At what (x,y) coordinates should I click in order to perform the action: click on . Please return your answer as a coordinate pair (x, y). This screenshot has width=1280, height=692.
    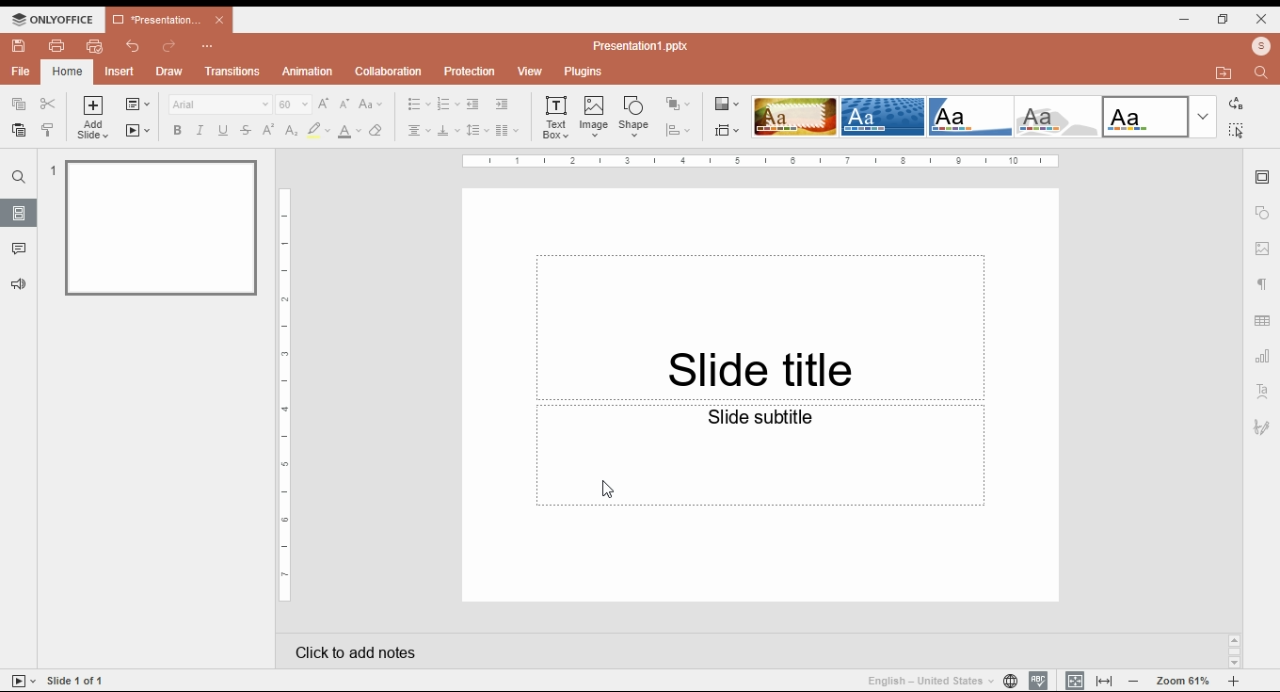
    Looking at the image, I should click on (1265, 428).